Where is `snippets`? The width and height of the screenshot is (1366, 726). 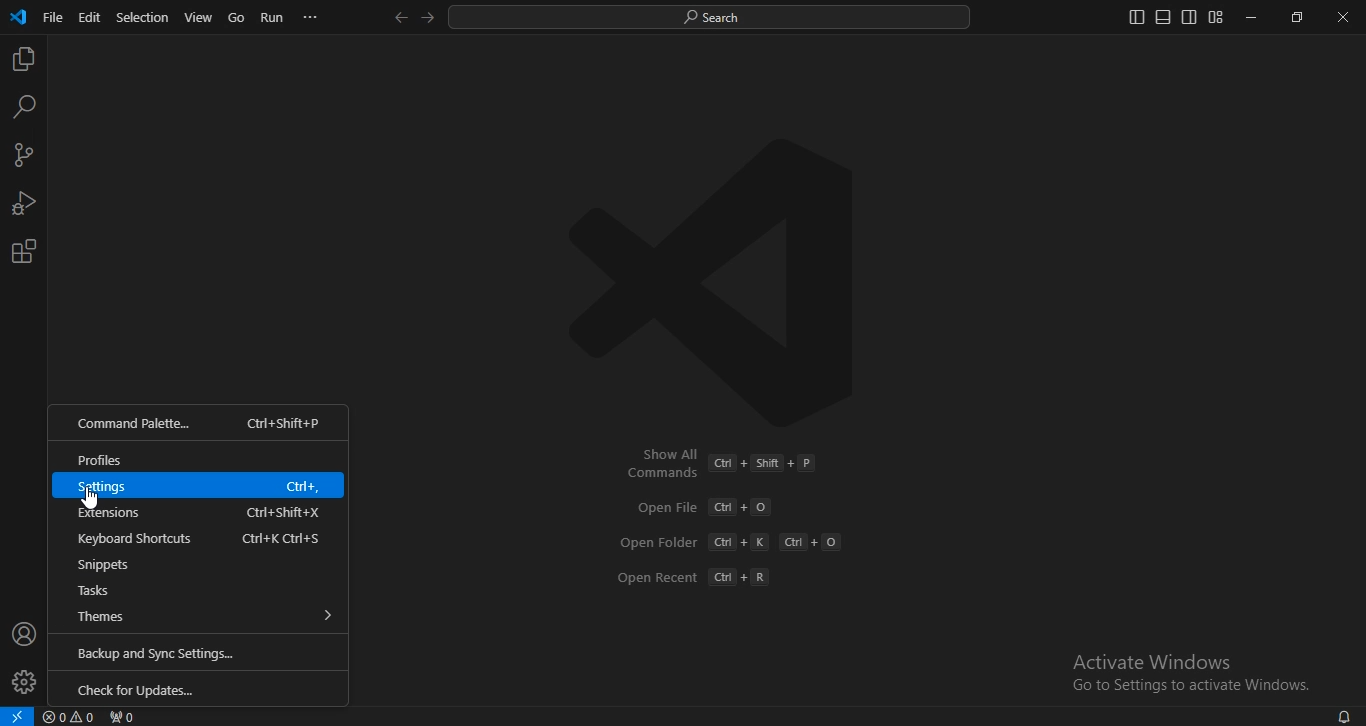 snippets is located at coordinates (196, 564).